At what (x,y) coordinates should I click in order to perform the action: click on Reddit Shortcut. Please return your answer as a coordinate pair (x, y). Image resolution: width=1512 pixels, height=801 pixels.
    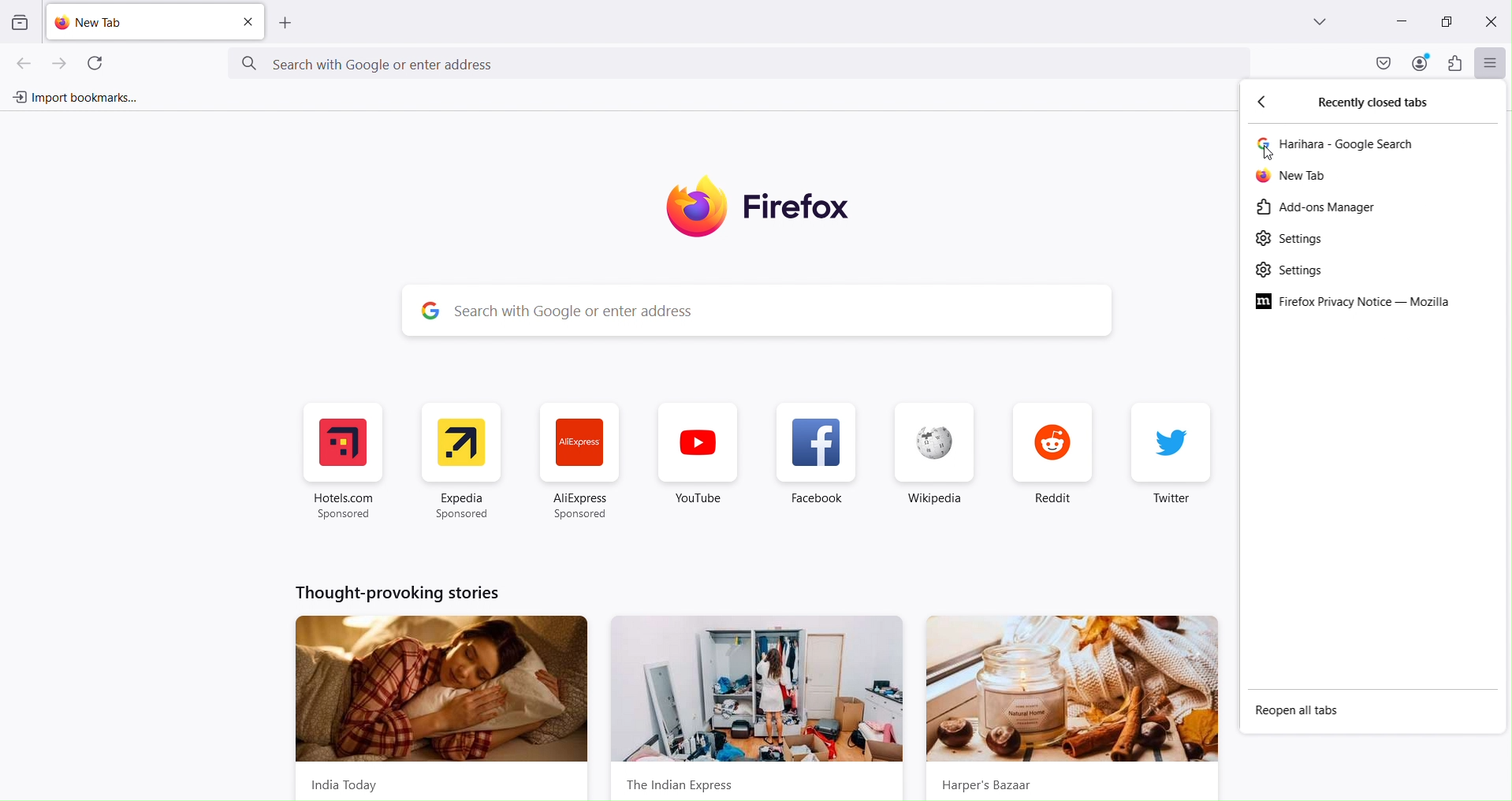
    Looking at the image, I should click on (1050, 462).